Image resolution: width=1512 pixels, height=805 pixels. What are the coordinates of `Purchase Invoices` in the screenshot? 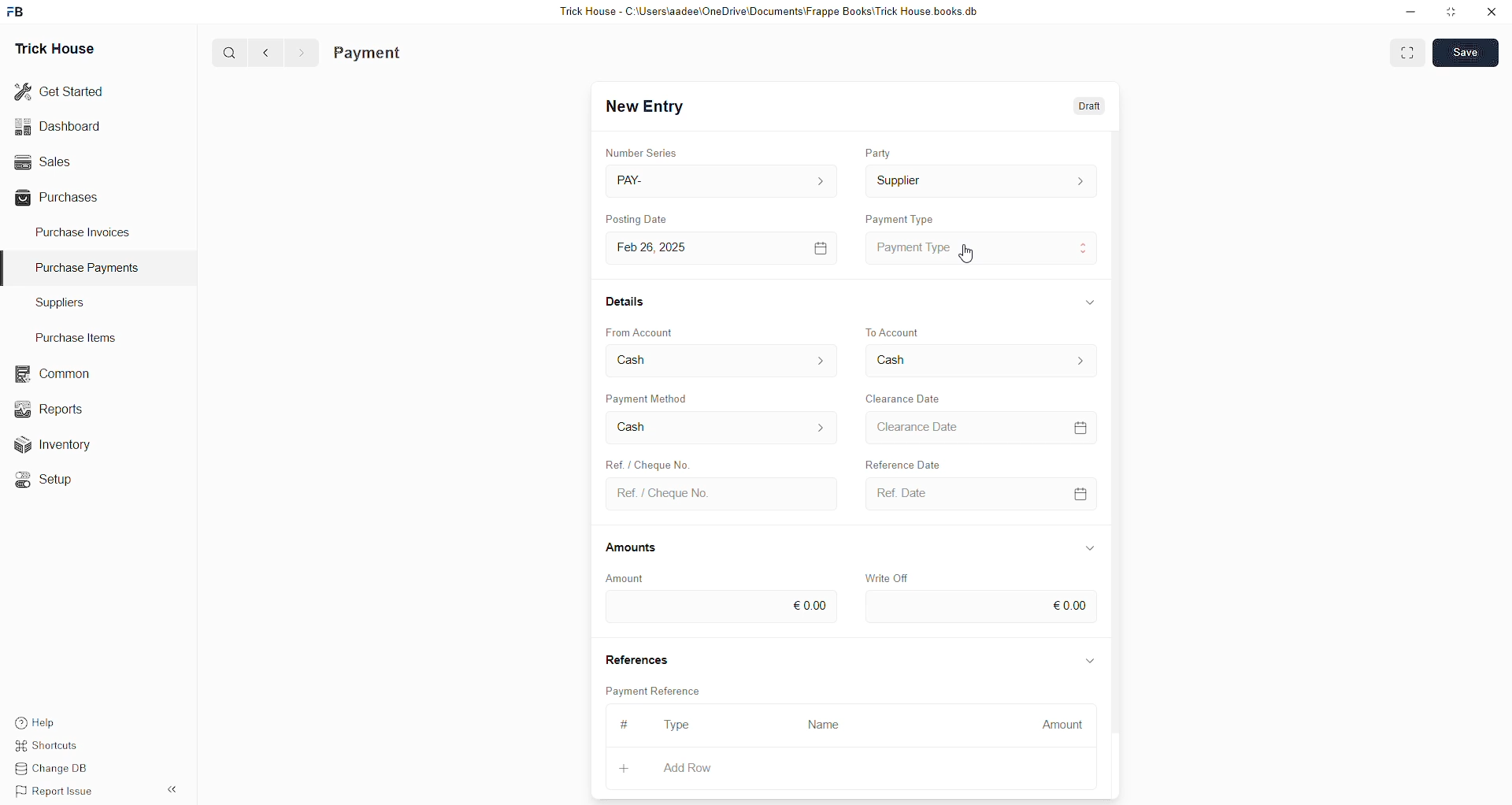 It's located at (81, 235).